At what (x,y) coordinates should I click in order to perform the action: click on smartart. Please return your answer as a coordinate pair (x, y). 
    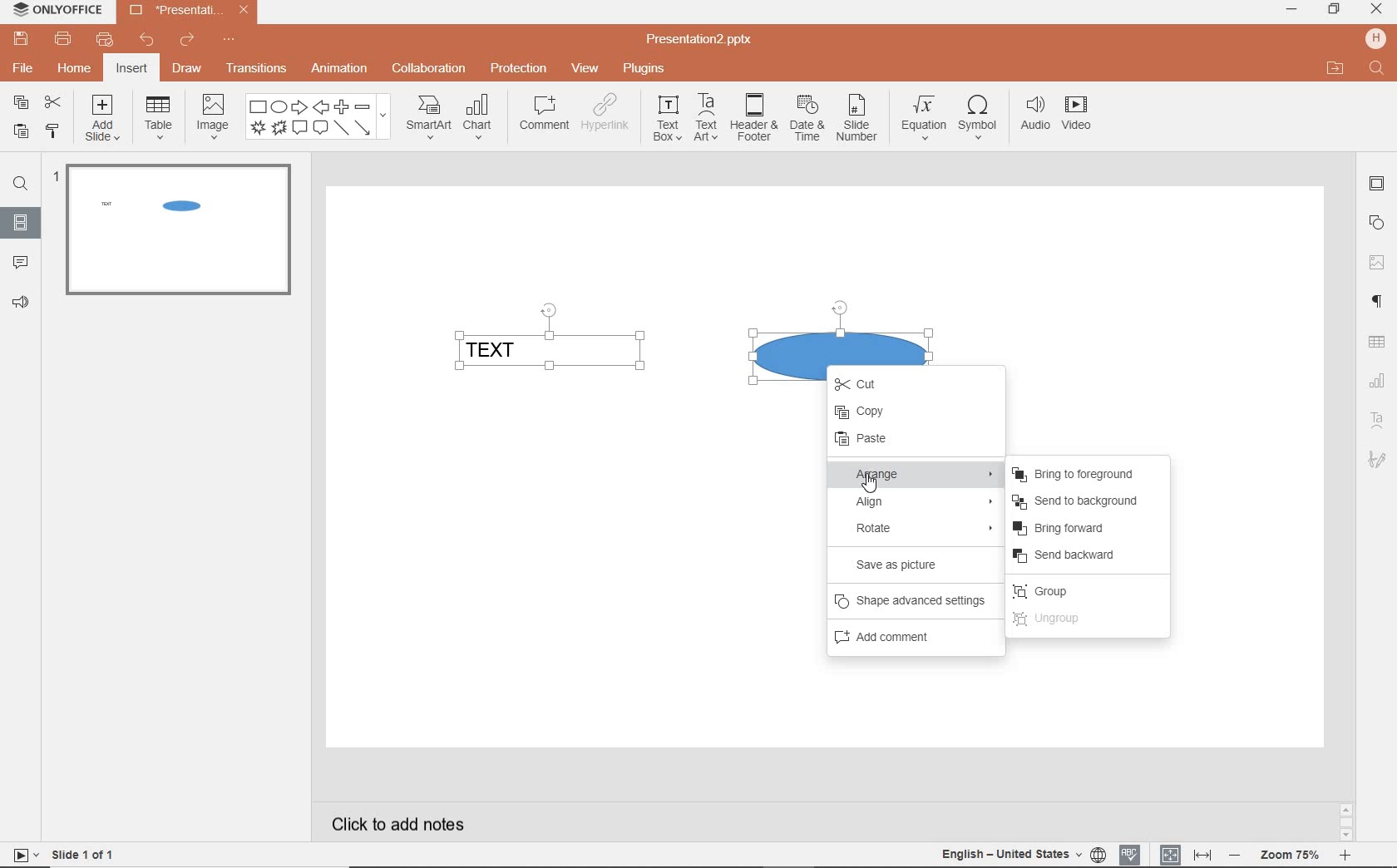
    Looking at the image, I should click on (428, 116).